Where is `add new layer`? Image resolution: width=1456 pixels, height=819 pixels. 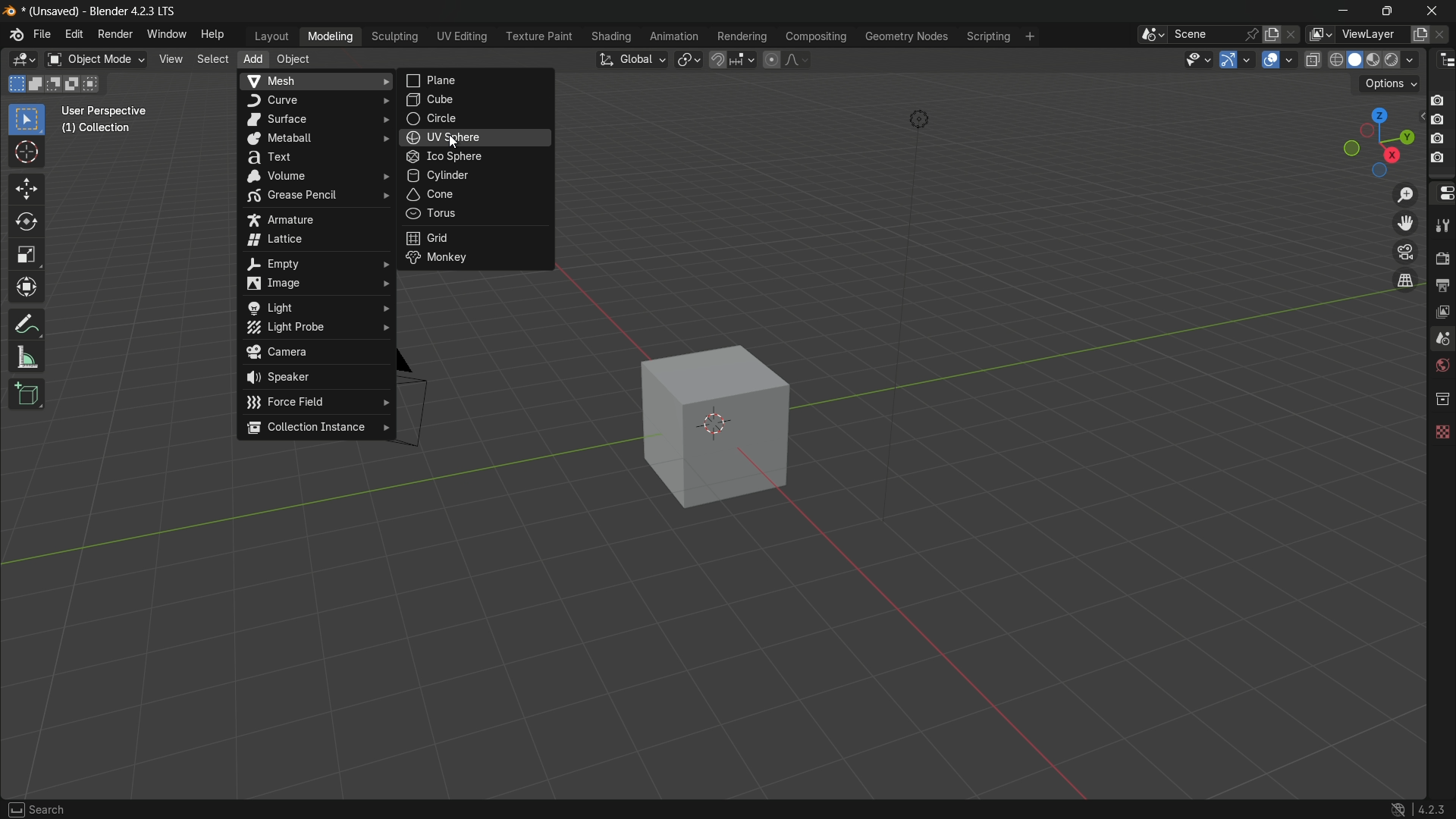
add new layer is located at coordinates (1421, 35).